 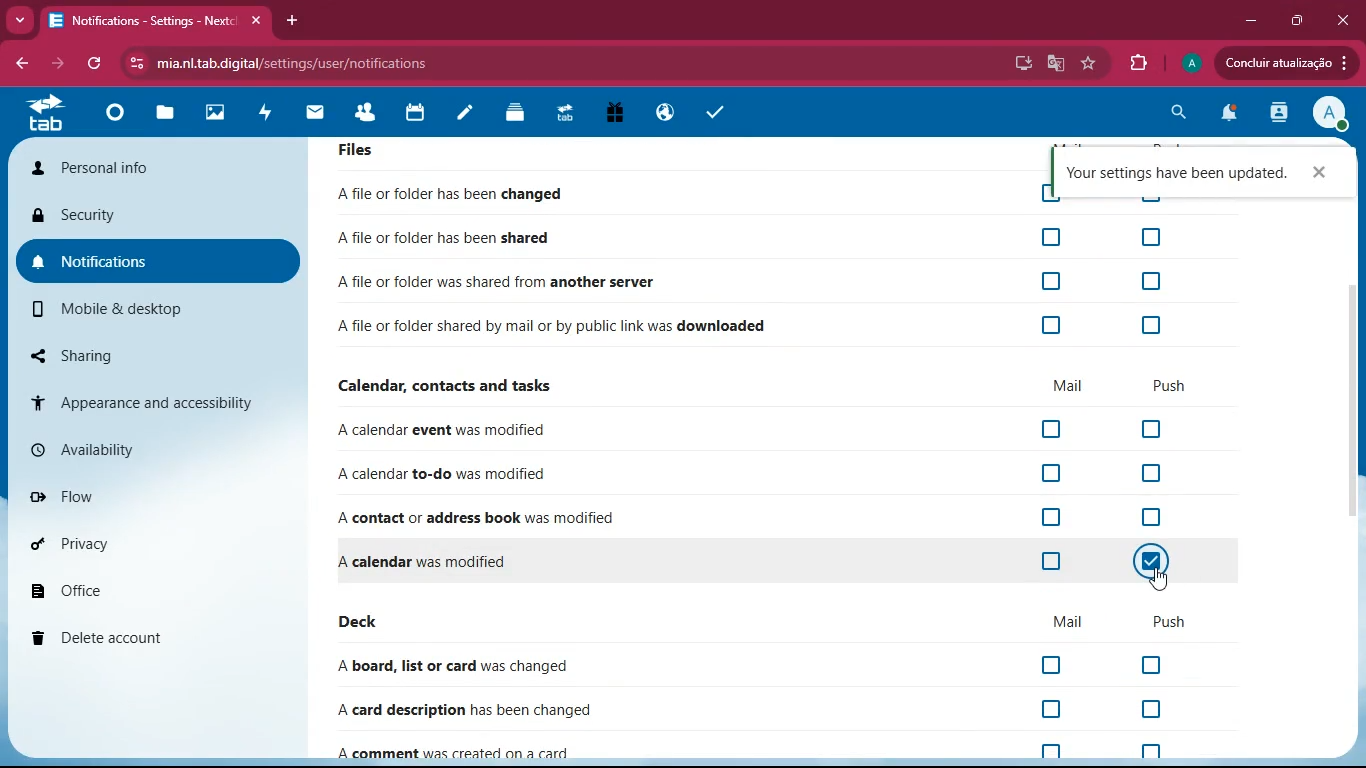 I want to click on desktop, so click(x=1020, y=65).